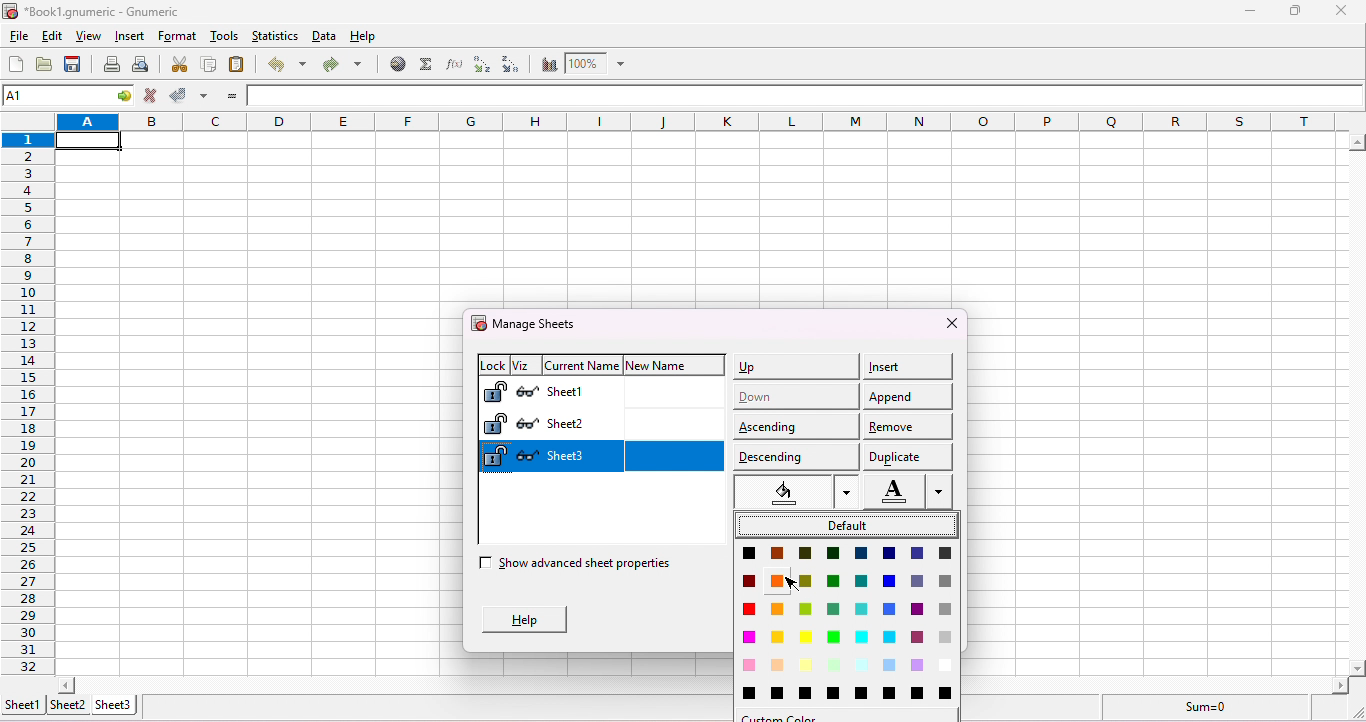  What do you see at coordinates (112, 66) in the screenshot?
I see `print` at bounding box center [112, 66].